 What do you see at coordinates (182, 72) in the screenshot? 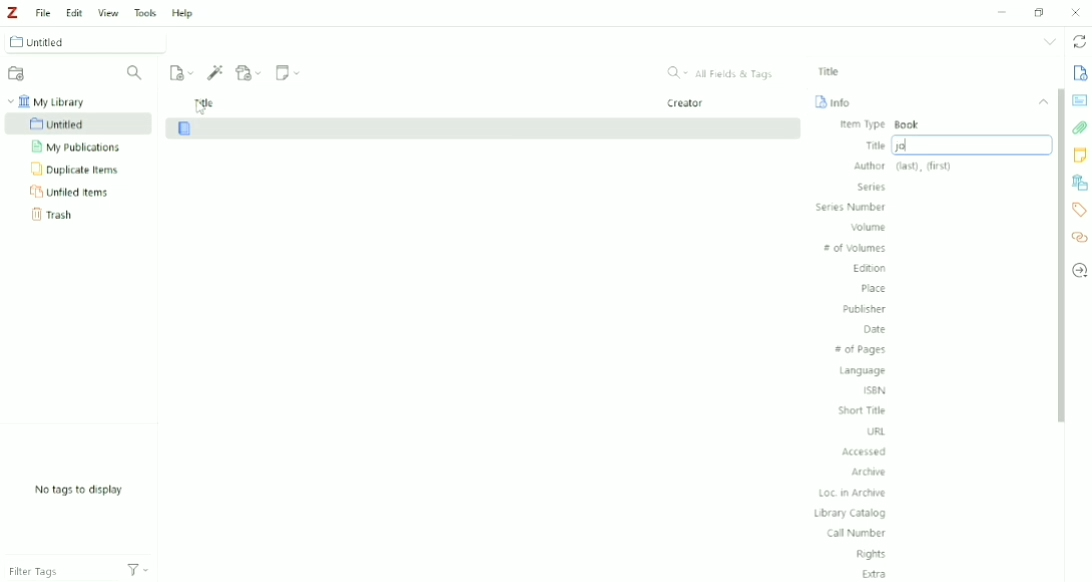
I see `New Item` at bounding box center [182, 72].